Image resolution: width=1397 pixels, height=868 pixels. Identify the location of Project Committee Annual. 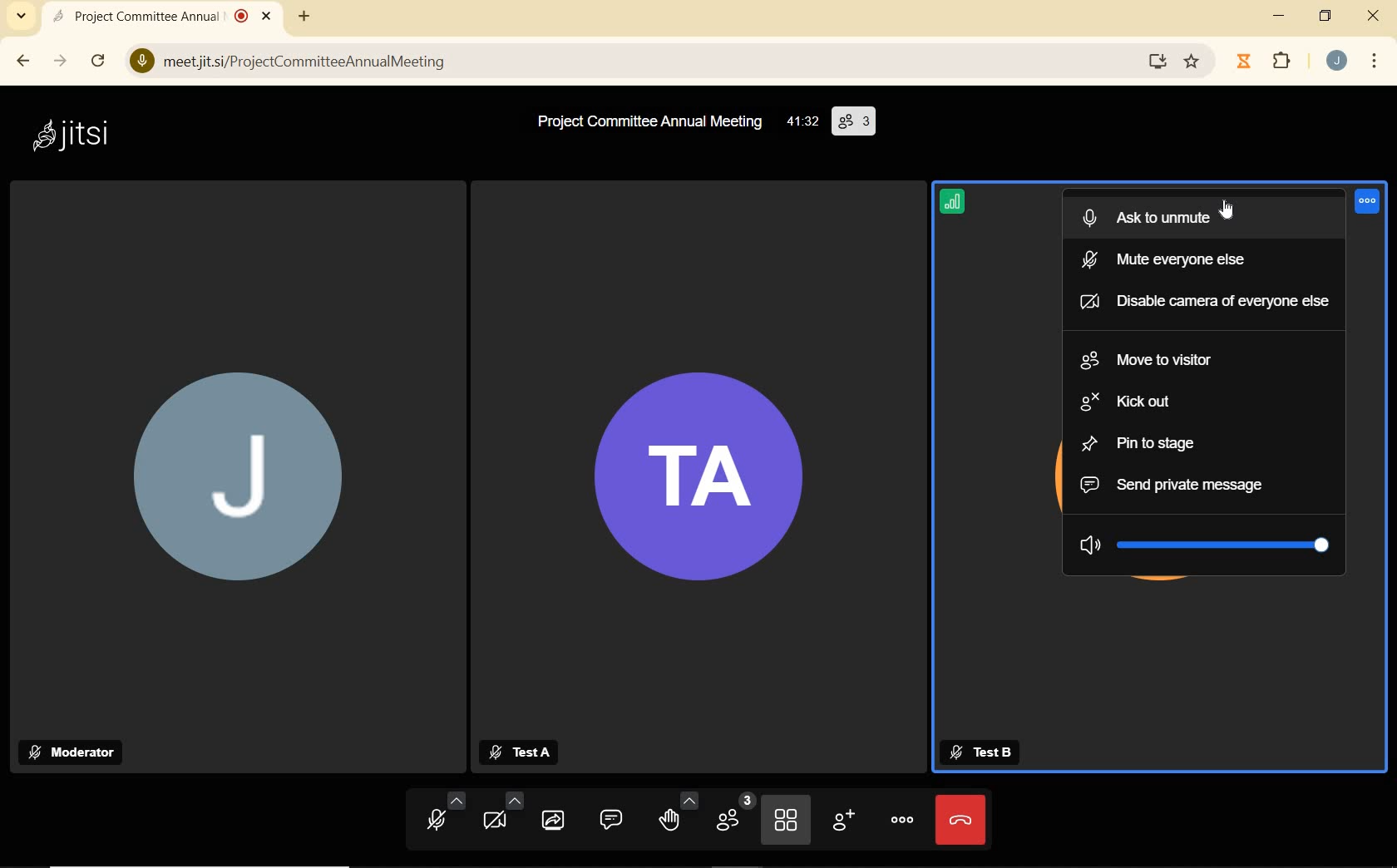
(152, 16).